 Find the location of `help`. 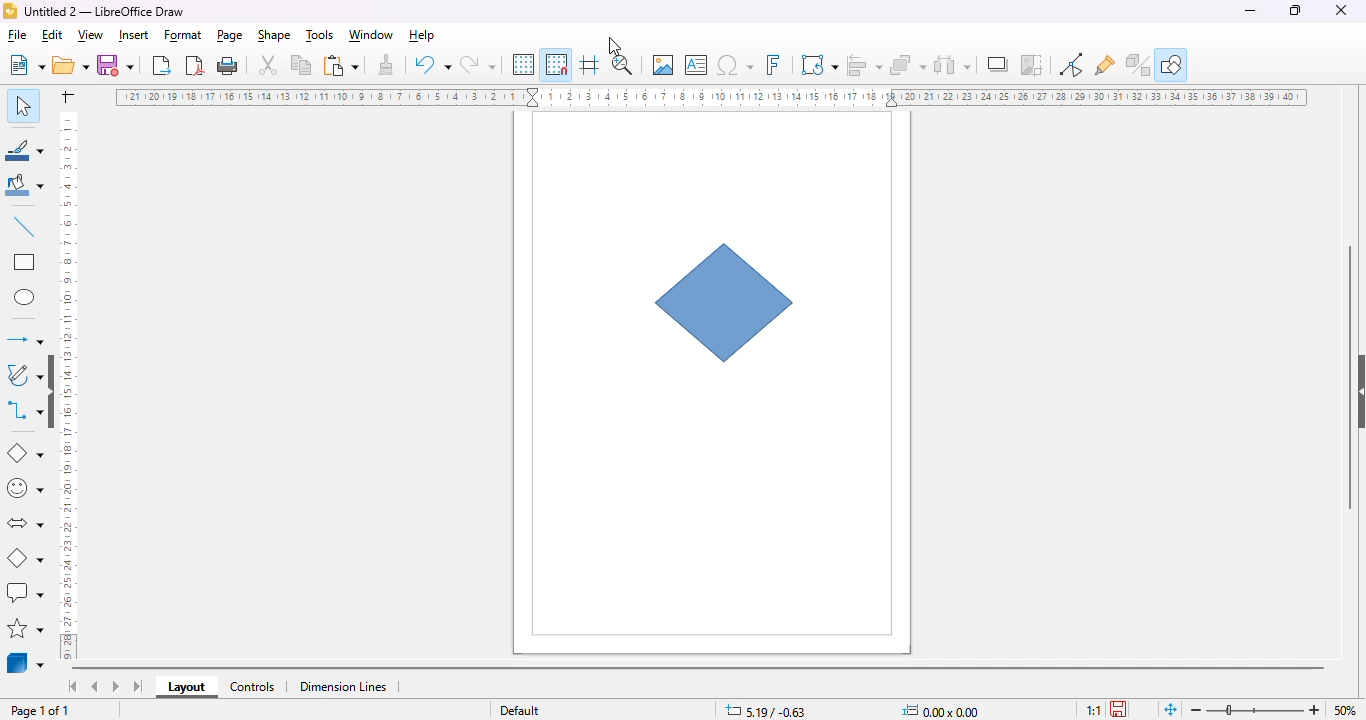

help is located at coordinates (423, 37).